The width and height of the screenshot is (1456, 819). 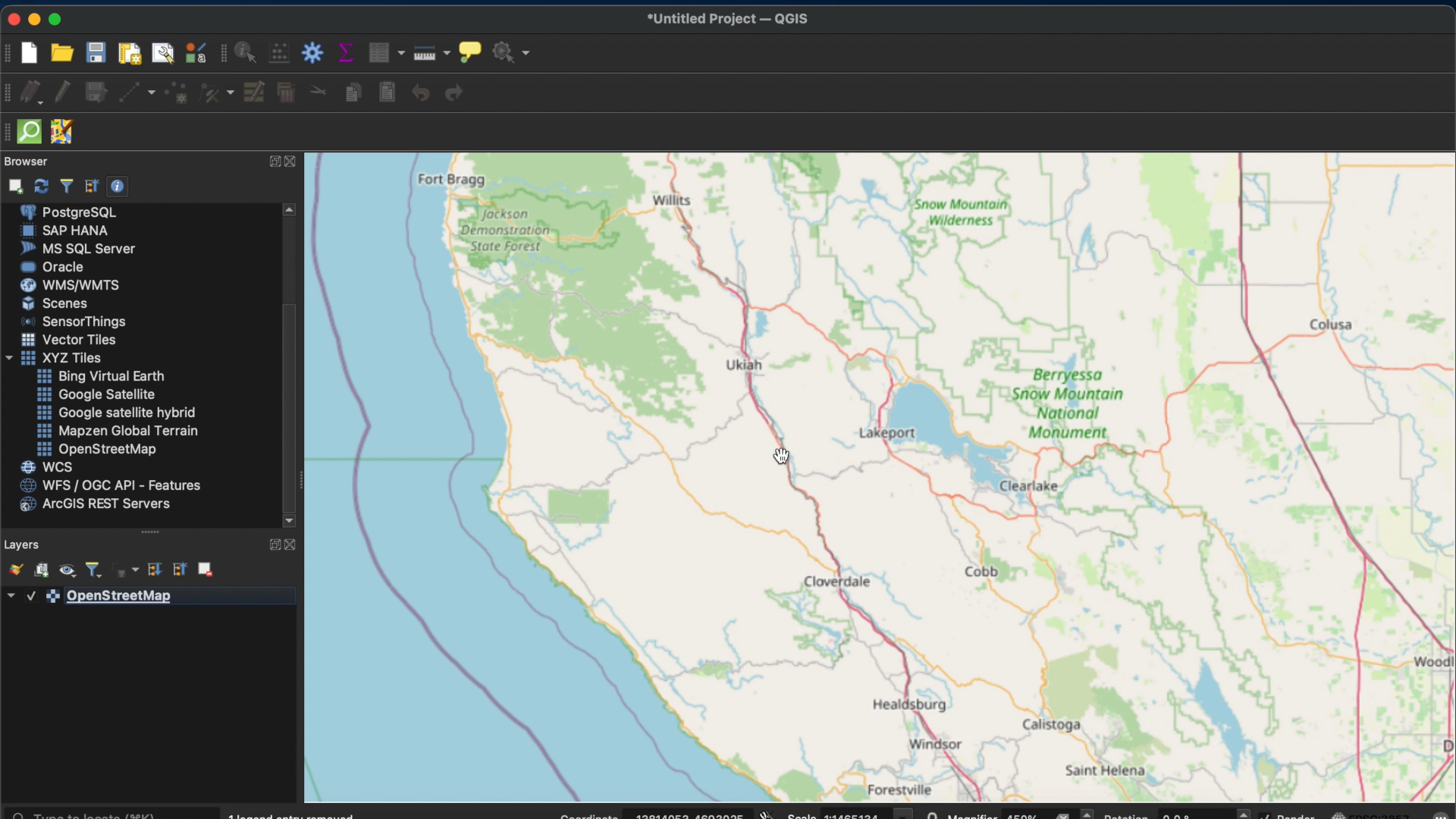 I want to click on expand all, so click(x=154, y=570).